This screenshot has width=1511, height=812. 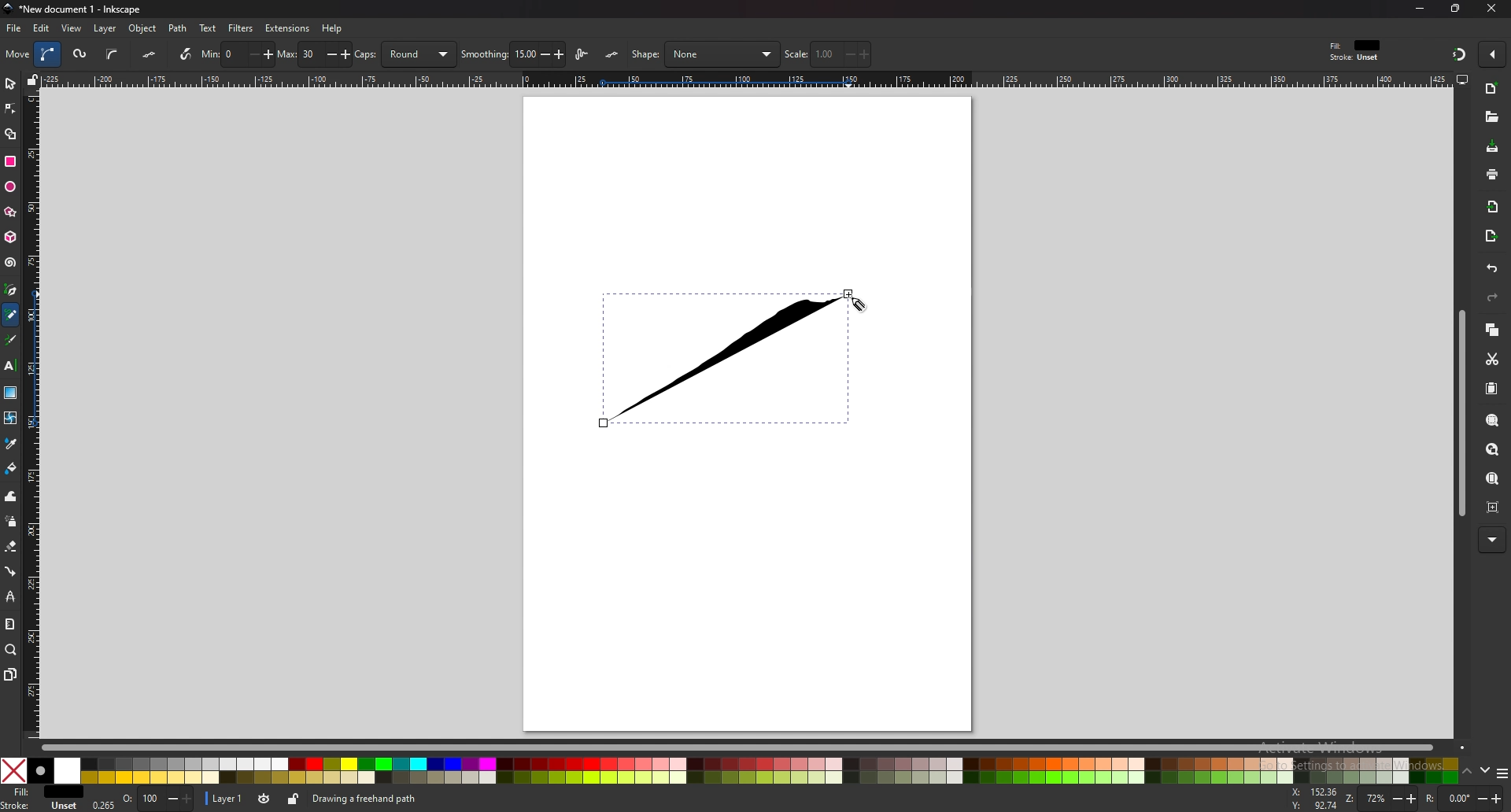 What do you see at coordinates (42, 28) in the screenshot?
I see `edit` at bounding box center [42, 28].